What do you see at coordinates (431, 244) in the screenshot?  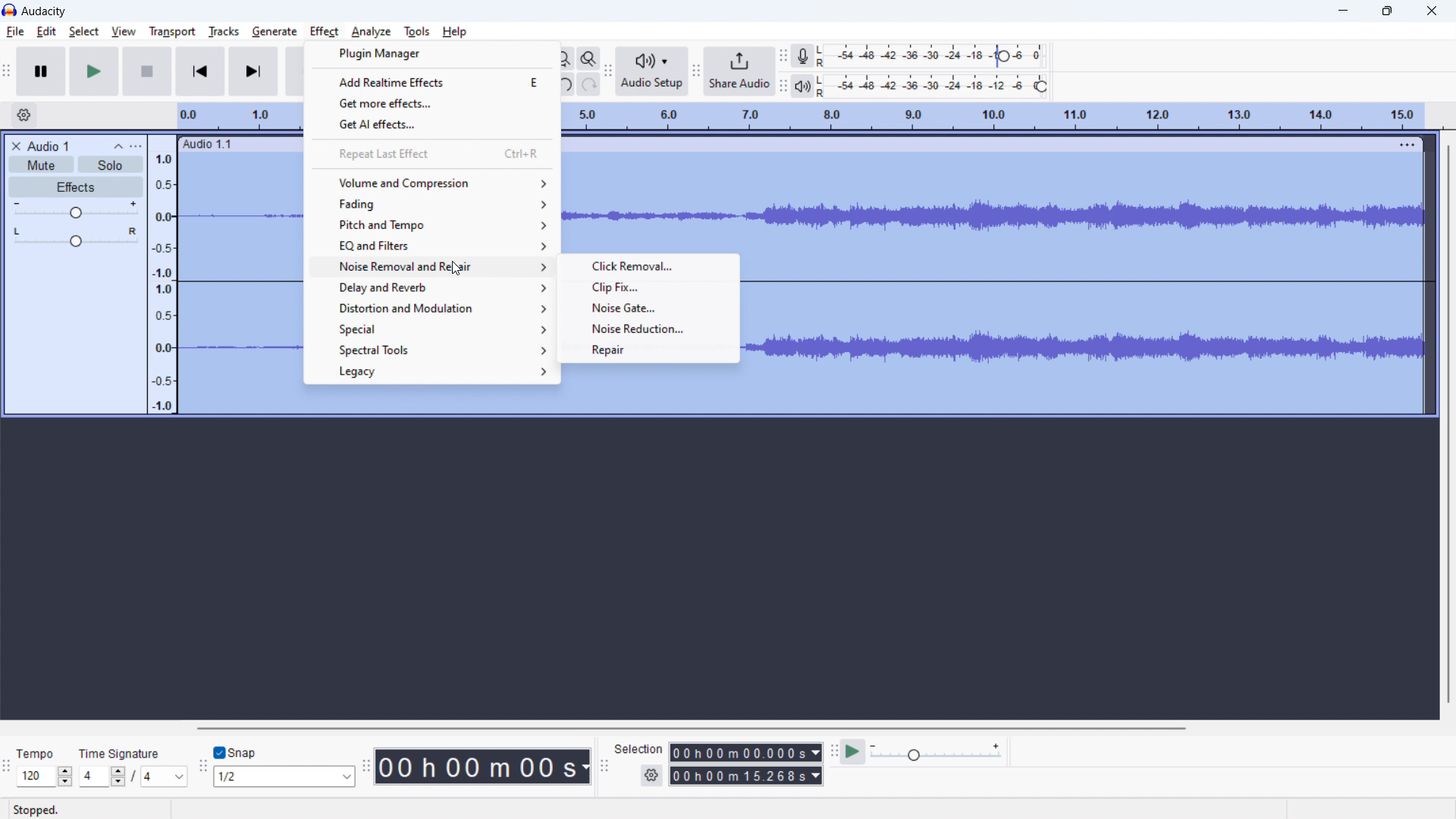 I see `EQ and filters` at bounding box center [431, 244].